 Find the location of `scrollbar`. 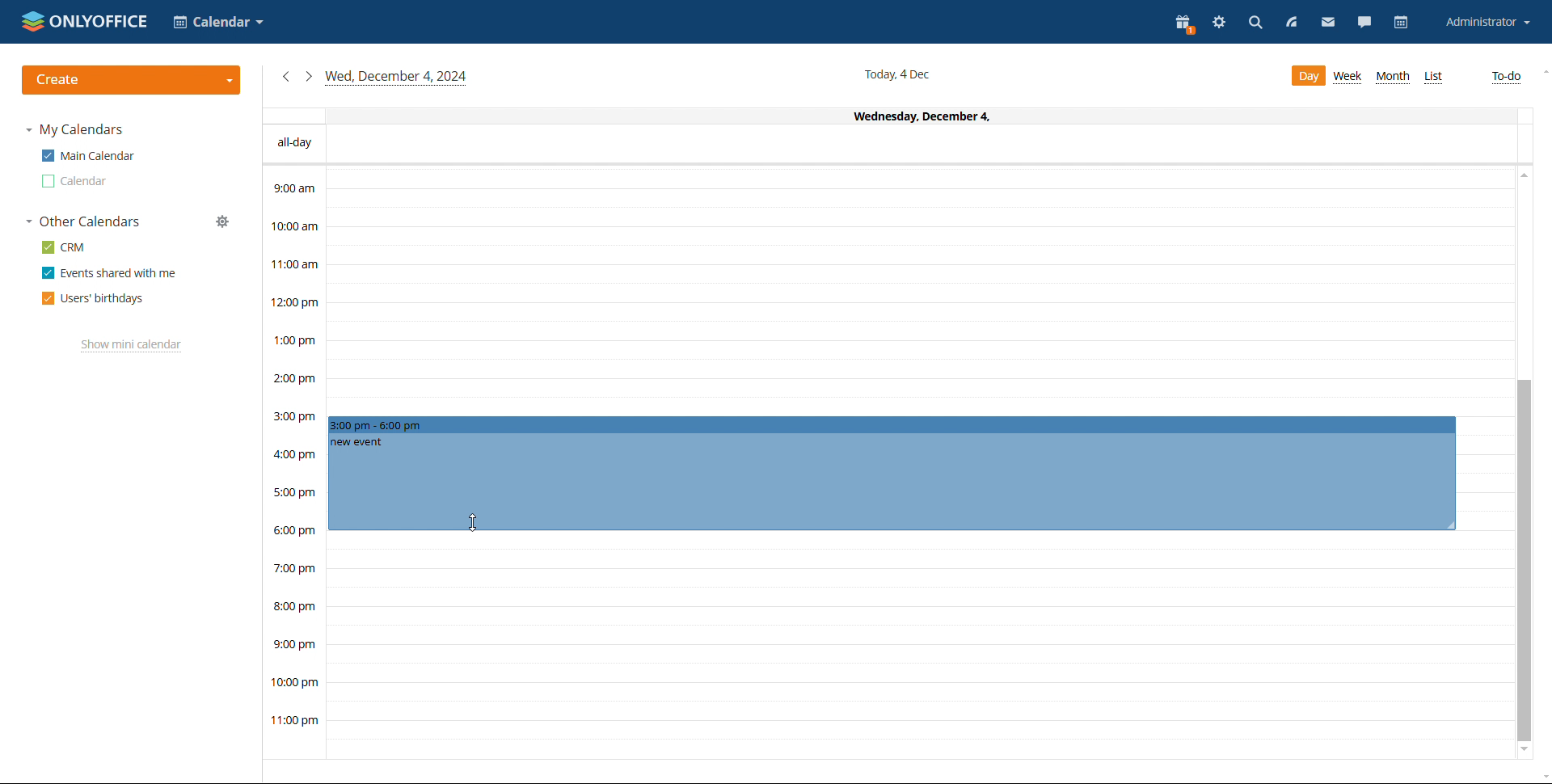

scrollbar is located at coordinates (1525, 561).